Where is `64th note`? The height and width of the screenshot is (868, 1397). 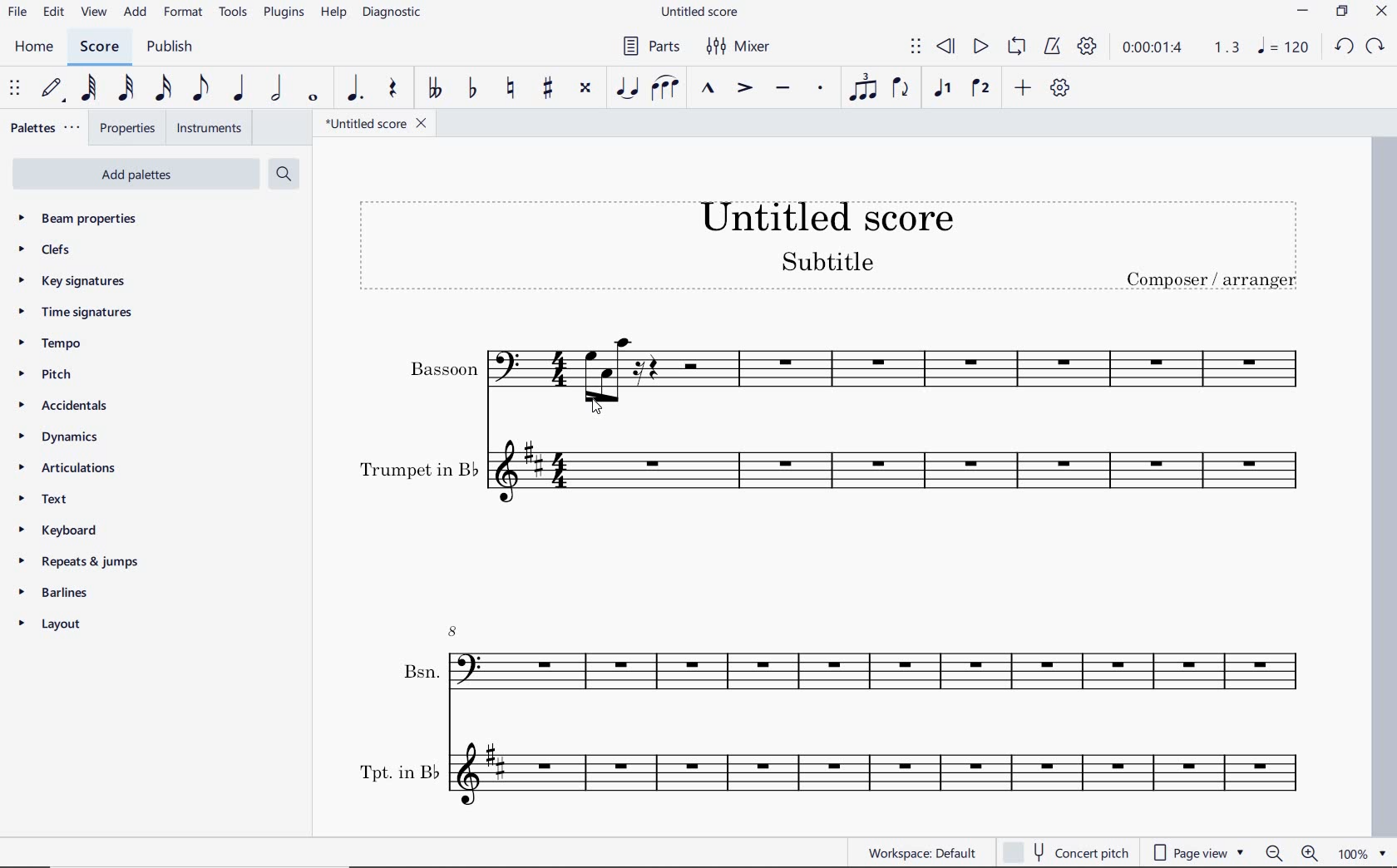
64th note is located at coordinates (90, 89).